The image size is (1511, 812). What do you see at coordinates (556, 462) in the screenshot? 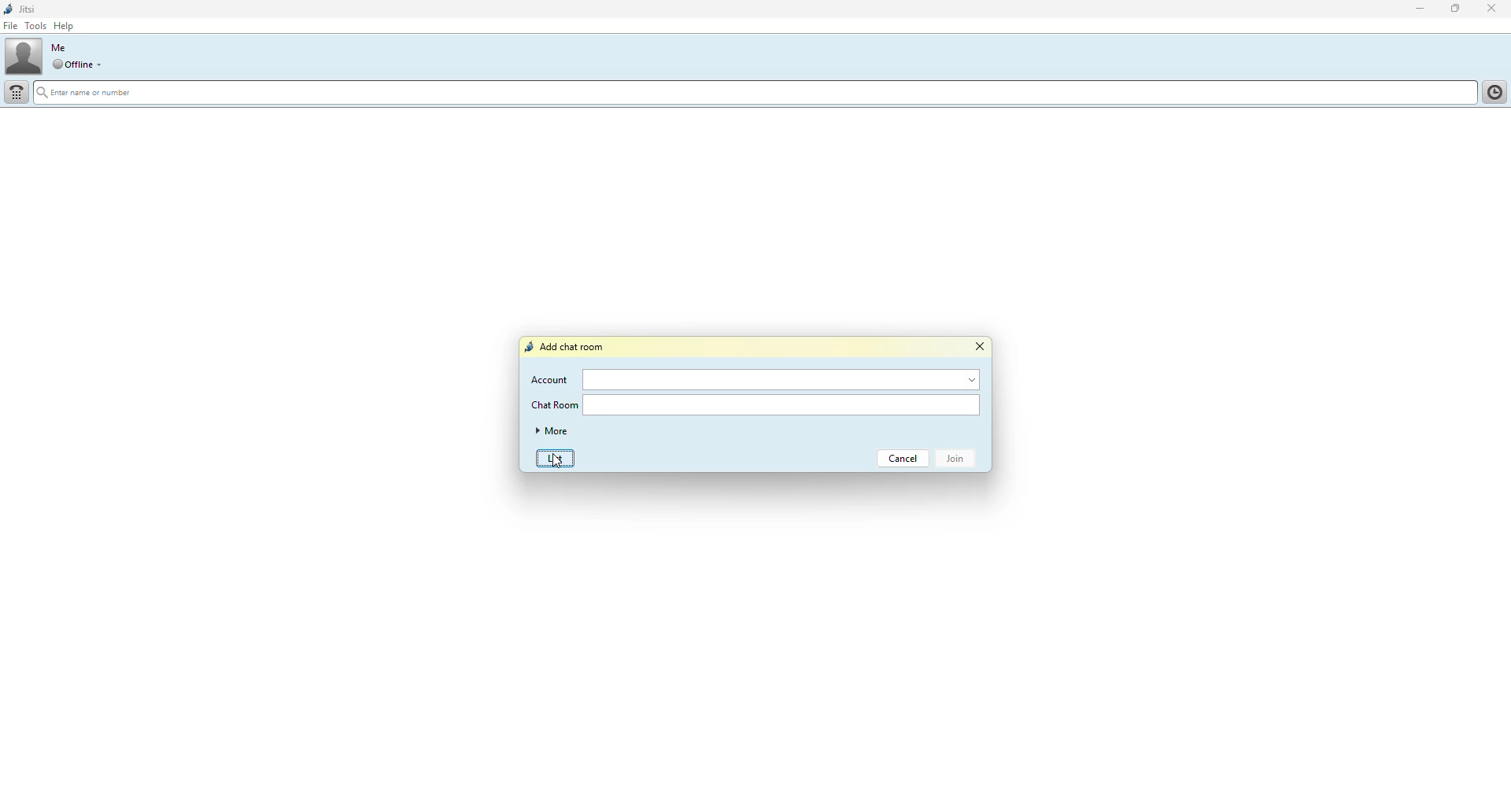
I see `cursor` at bounding box center [556, 462].